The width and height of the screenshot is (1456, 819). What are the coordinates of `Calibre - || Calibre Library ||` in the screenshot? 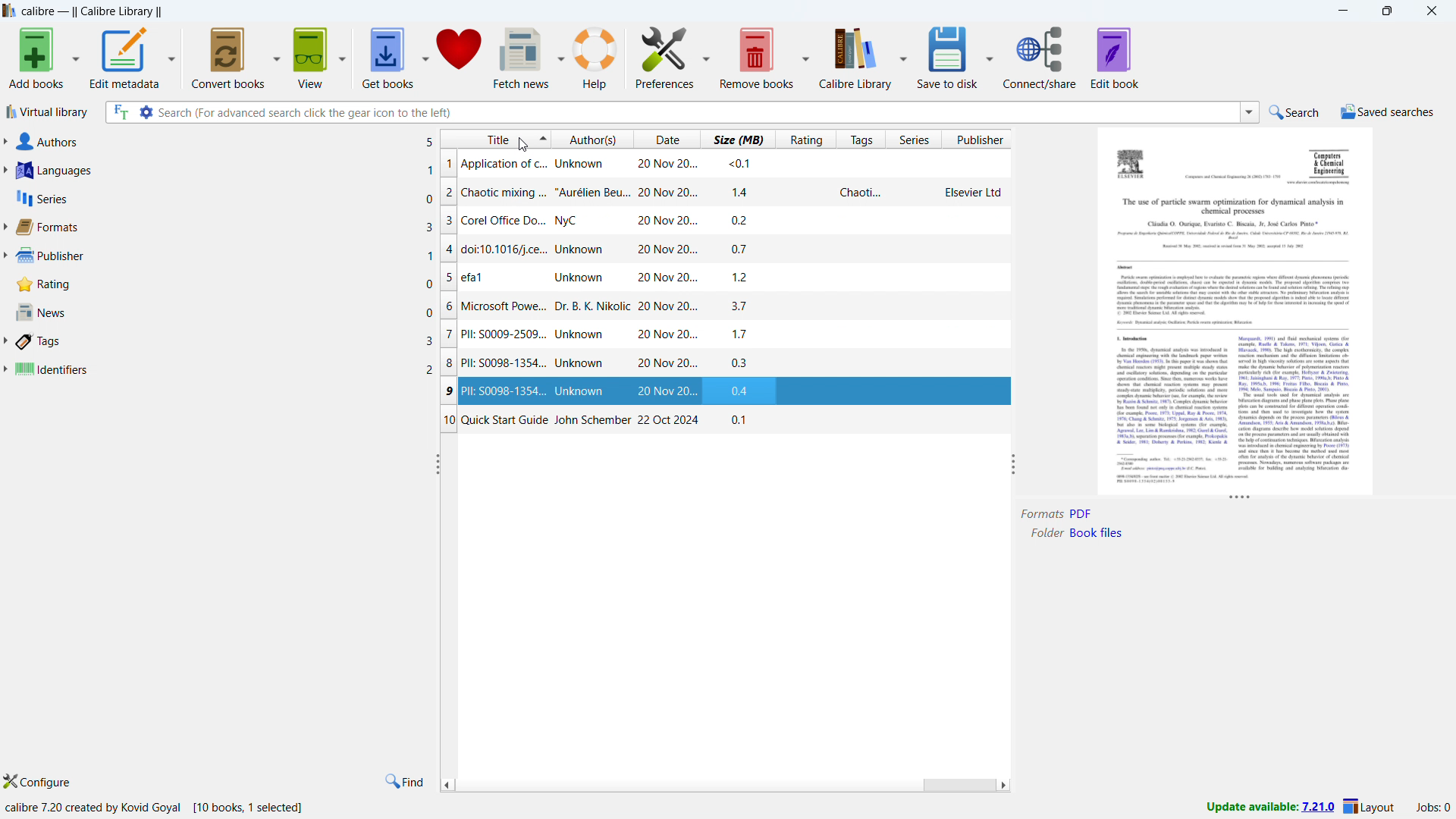 It's located at (93, 11).